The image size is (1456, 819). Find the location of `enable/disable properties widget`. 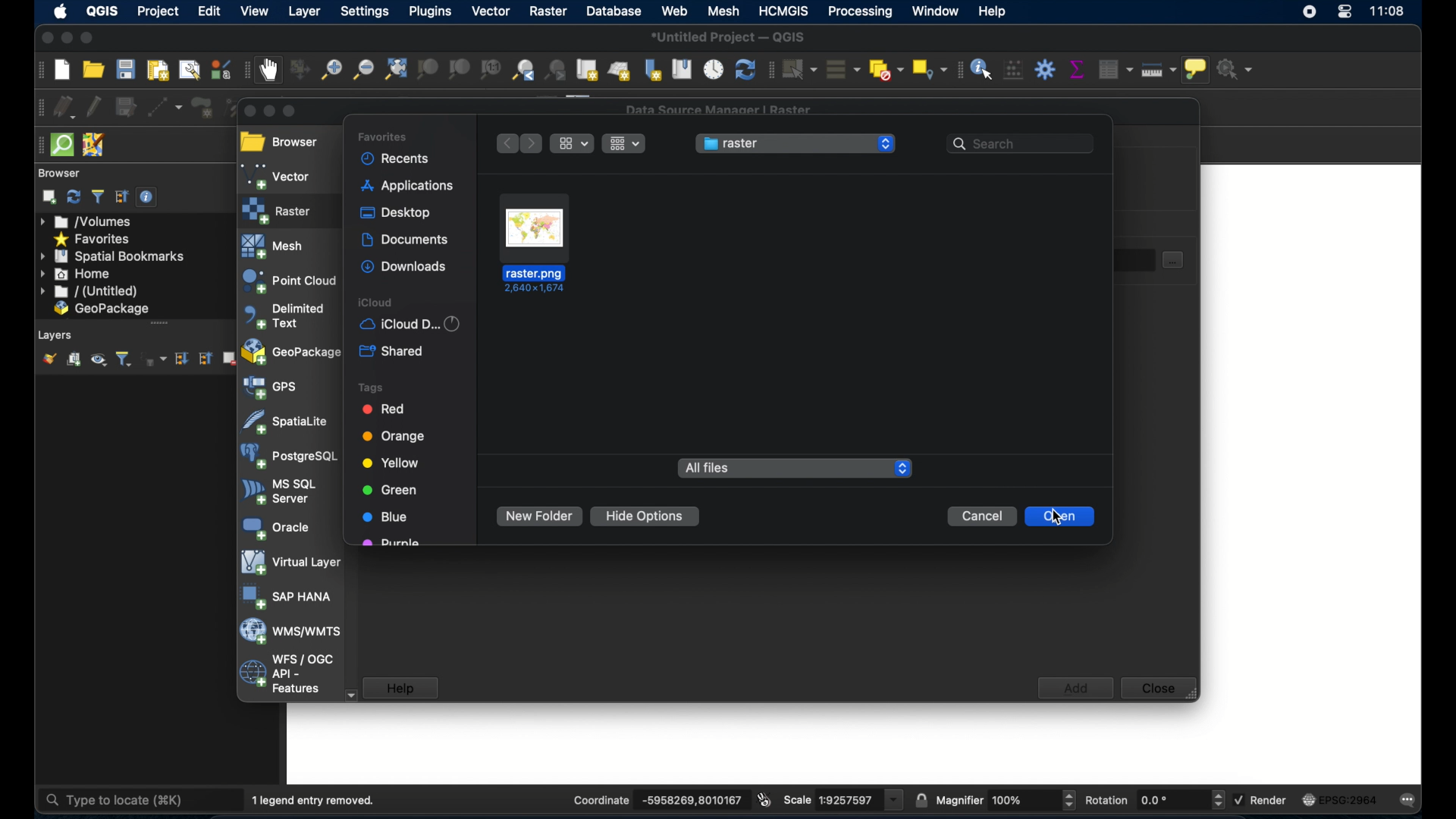

enable/disable properties widget is located at coordinates (149, 197).